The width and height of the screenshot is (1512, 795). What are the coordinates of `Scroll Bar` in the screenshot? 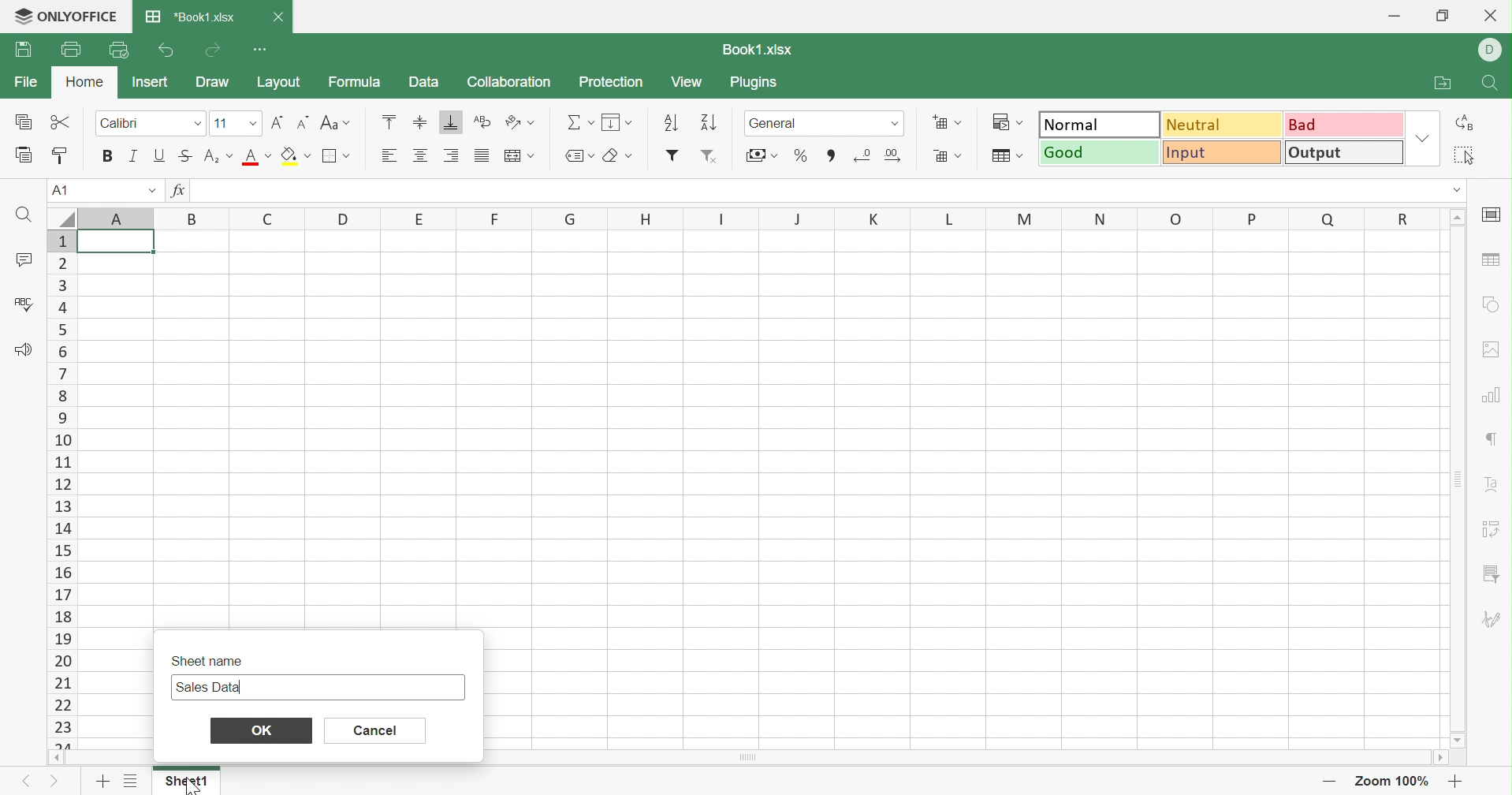 It's located at (1454, 482).